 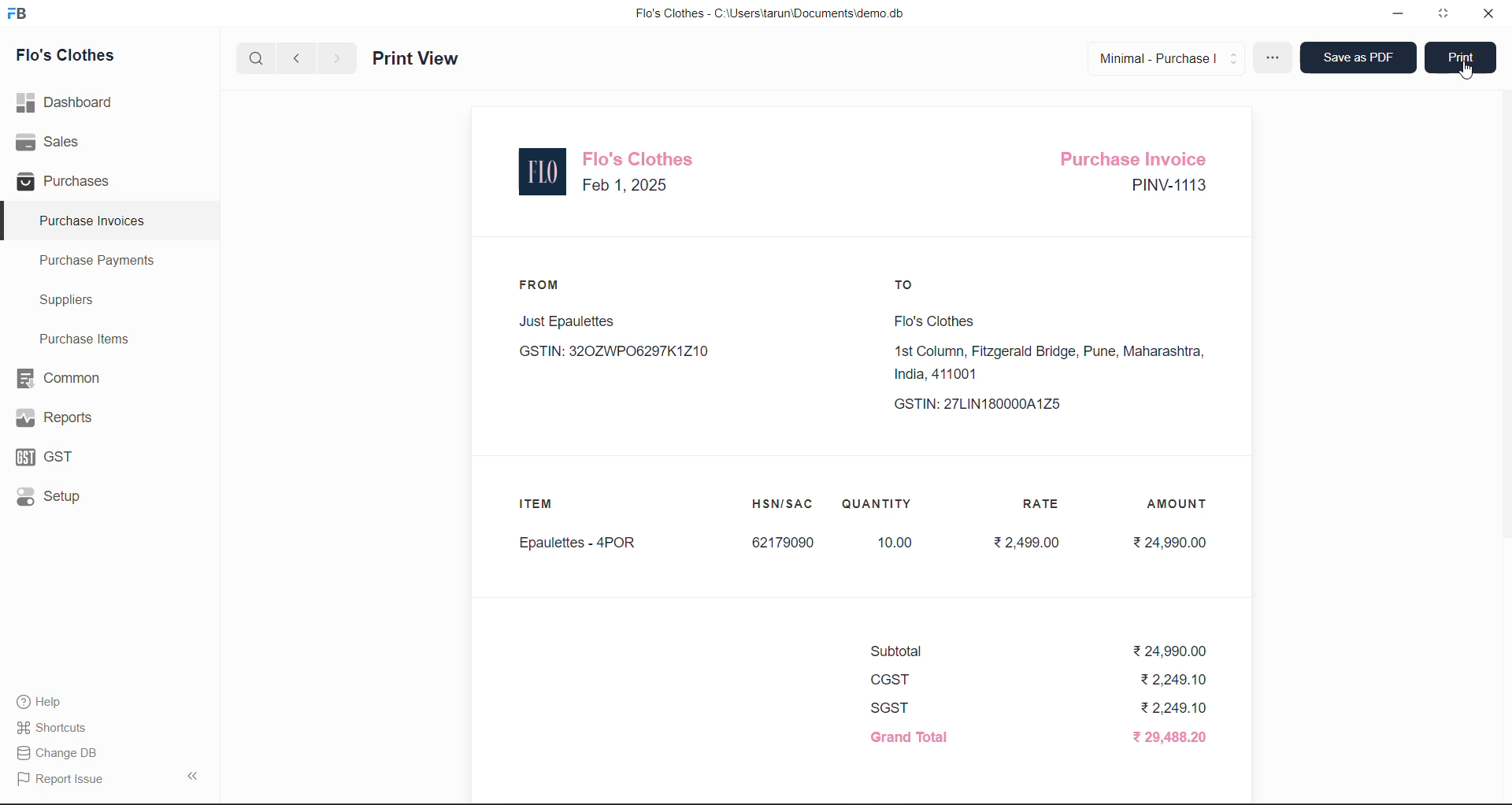 I want to click on Print, so click(x=1460, y=54).